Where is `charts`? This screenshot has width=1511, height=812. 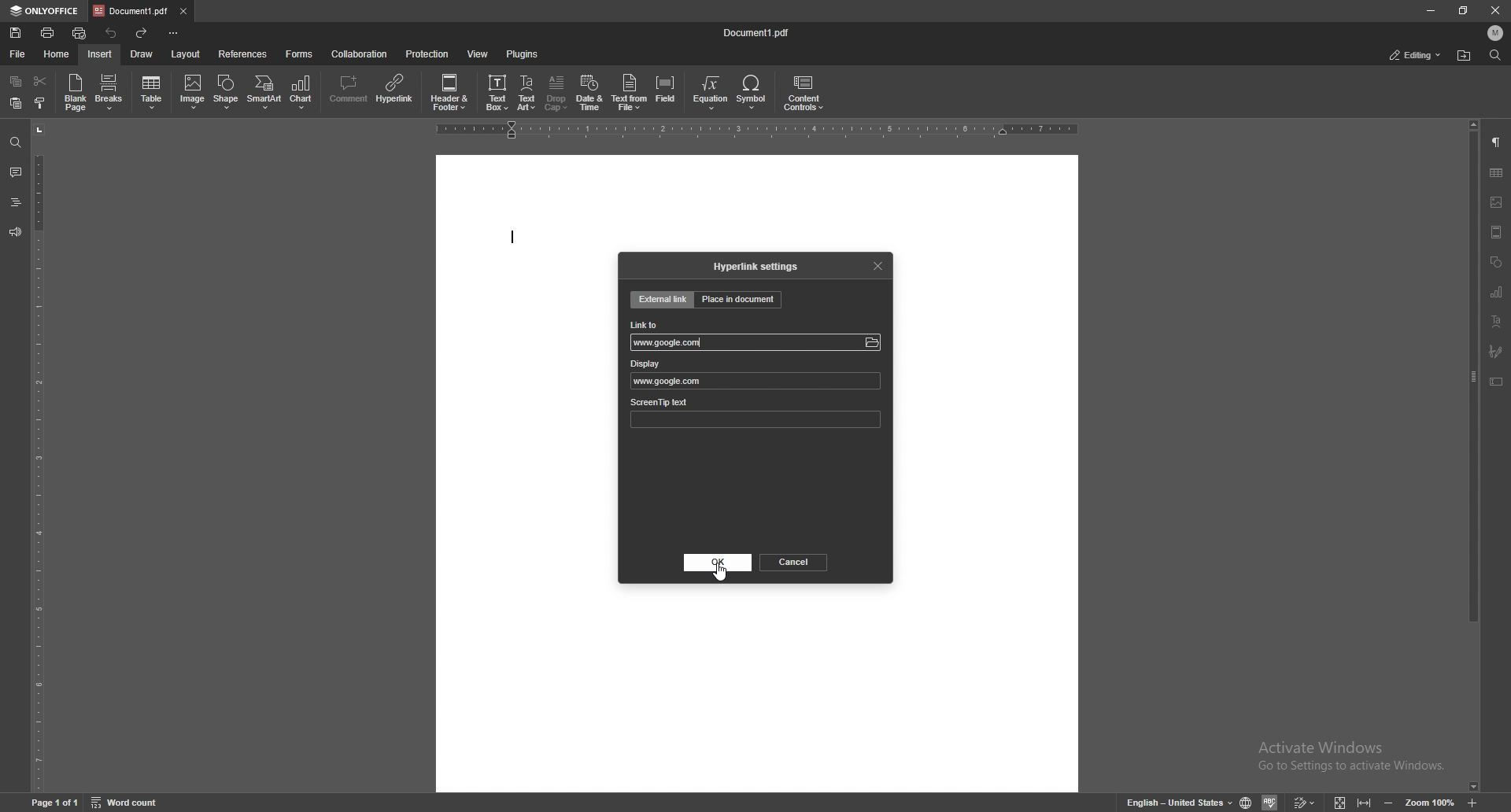
charts is located at coordinates (1498, 291).